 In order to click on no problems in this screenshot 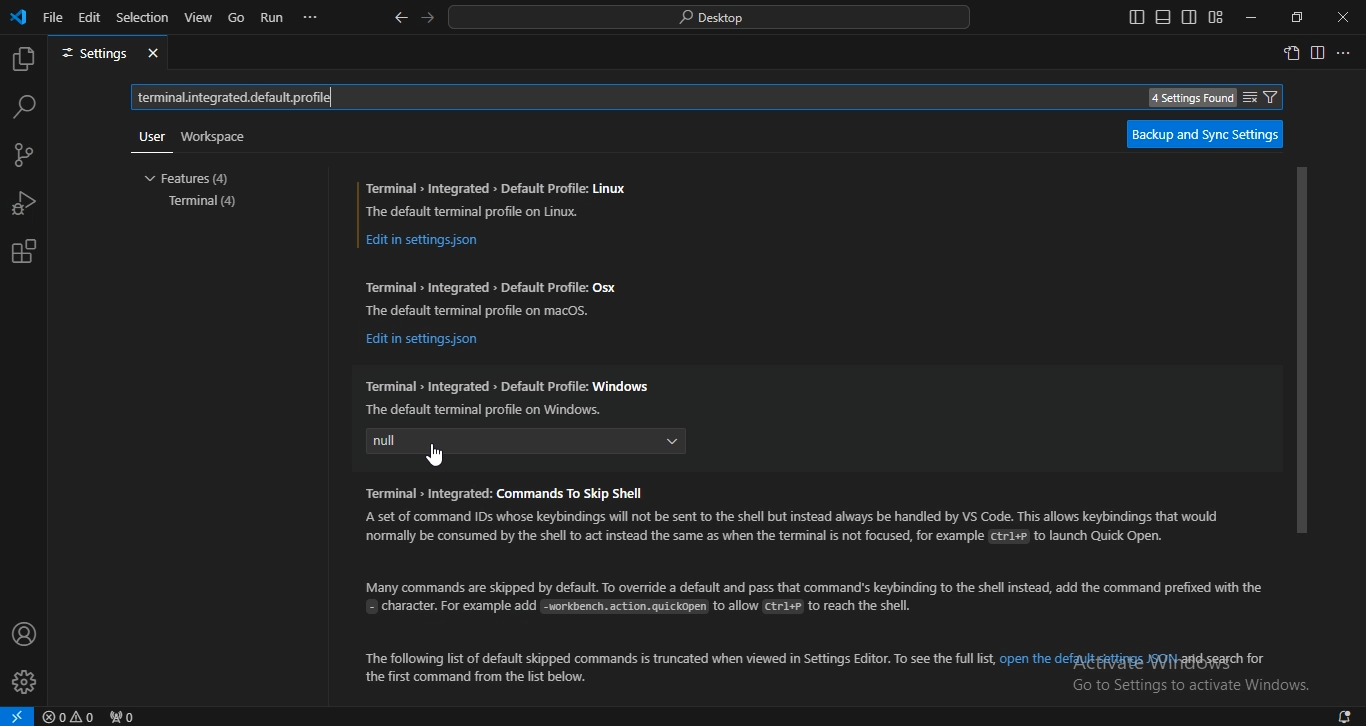, I will do `click(70, 716)`.